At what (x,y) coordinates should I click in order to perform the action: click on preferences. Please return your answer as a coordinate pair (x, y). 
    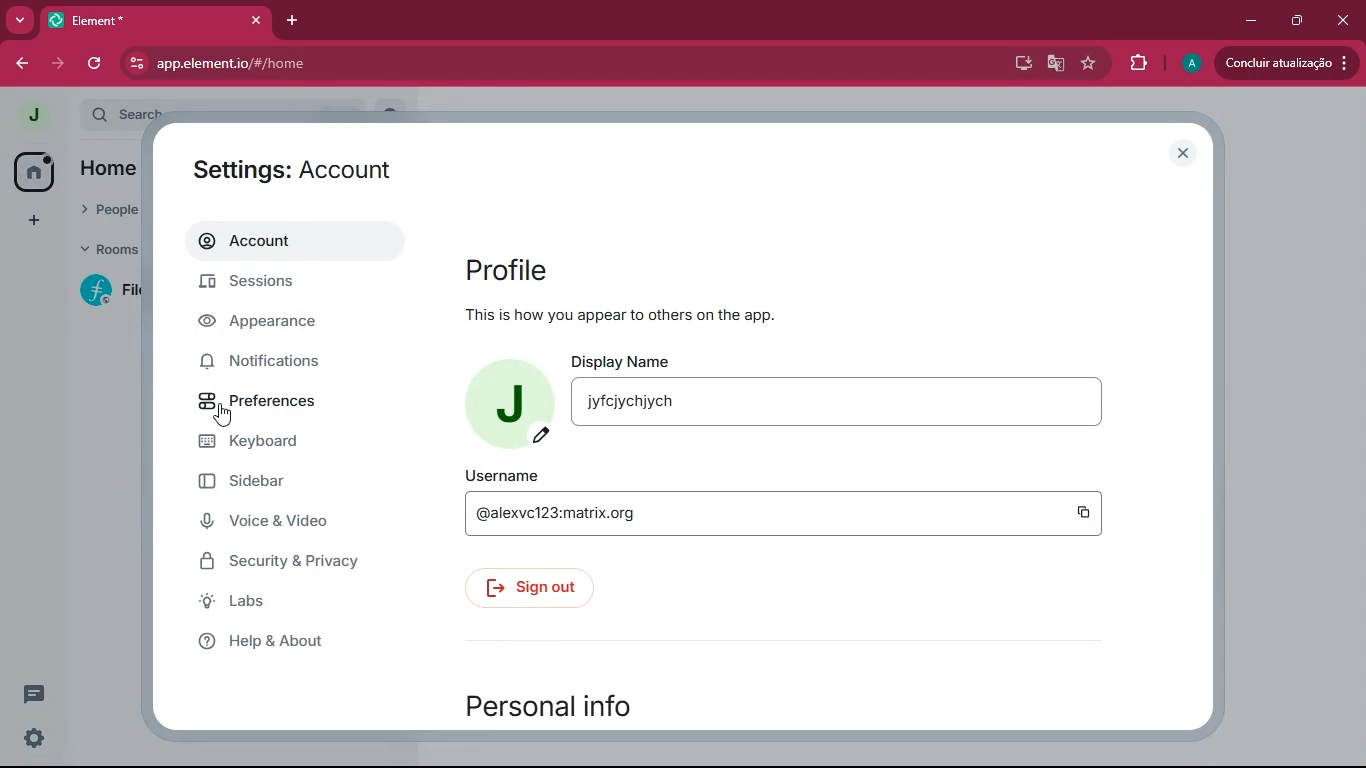
    Looking at the image, I should click on (276, 403).